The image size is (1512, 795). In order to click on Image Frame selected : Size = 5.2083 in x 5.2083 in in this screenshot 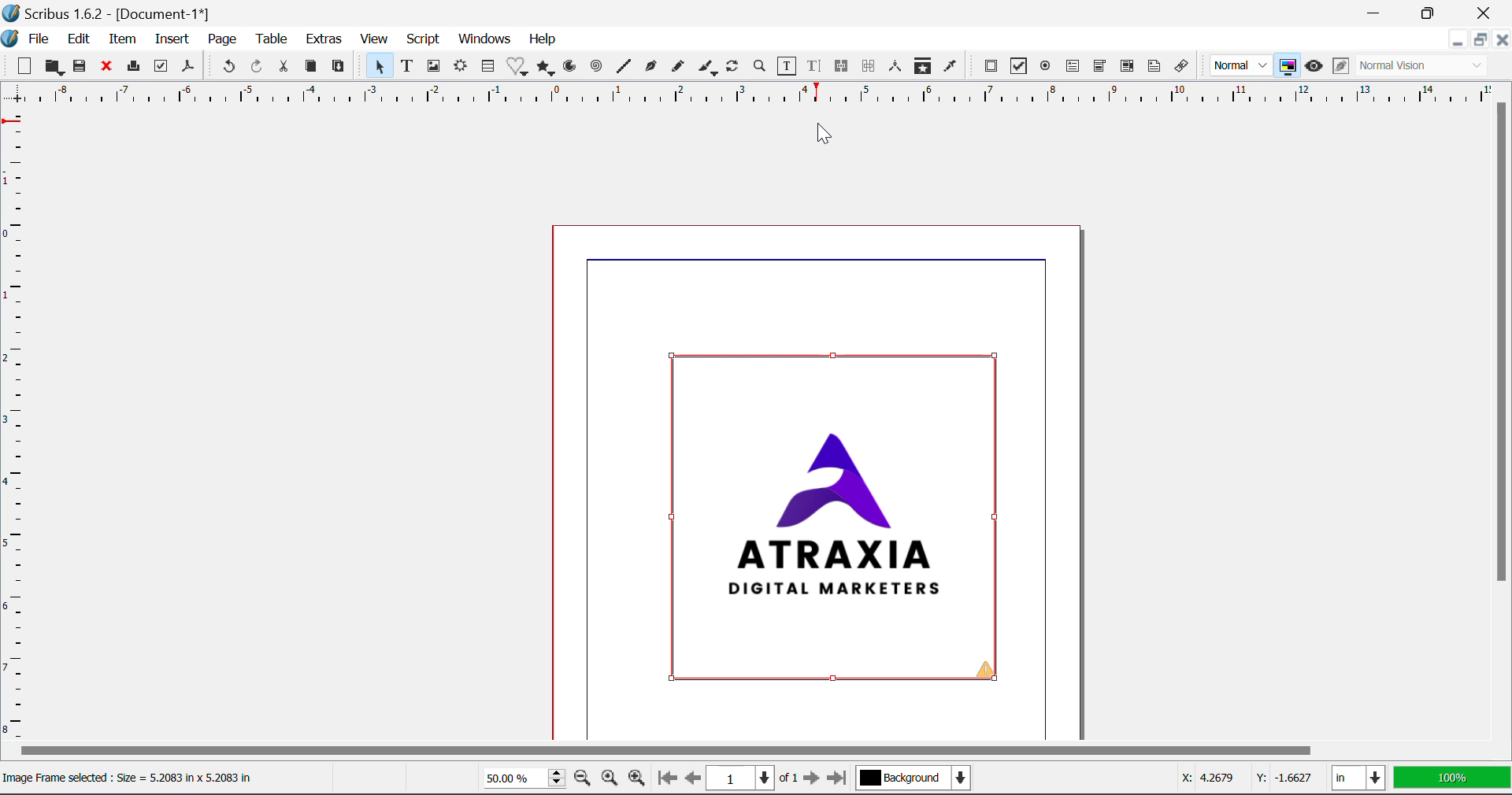, I will do `click(136, 775)`.